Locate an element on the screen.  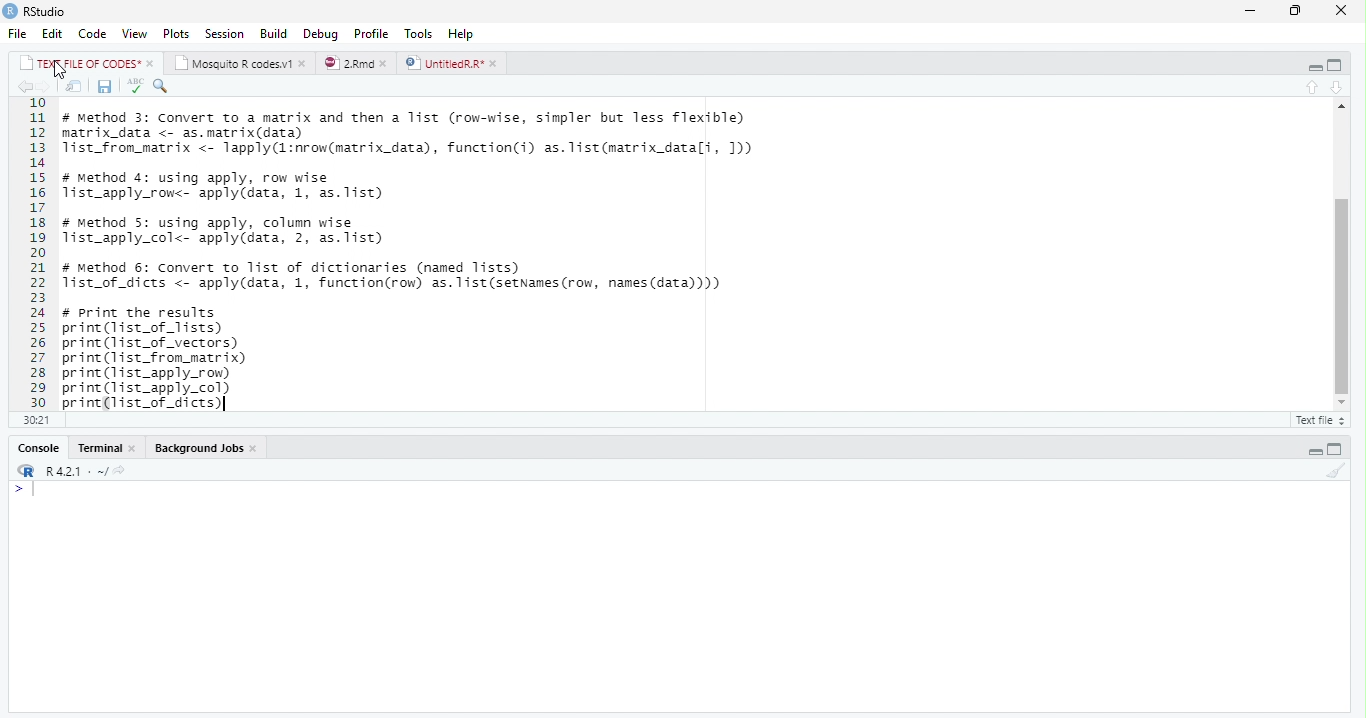
Console is located at coordinates (39, 447).